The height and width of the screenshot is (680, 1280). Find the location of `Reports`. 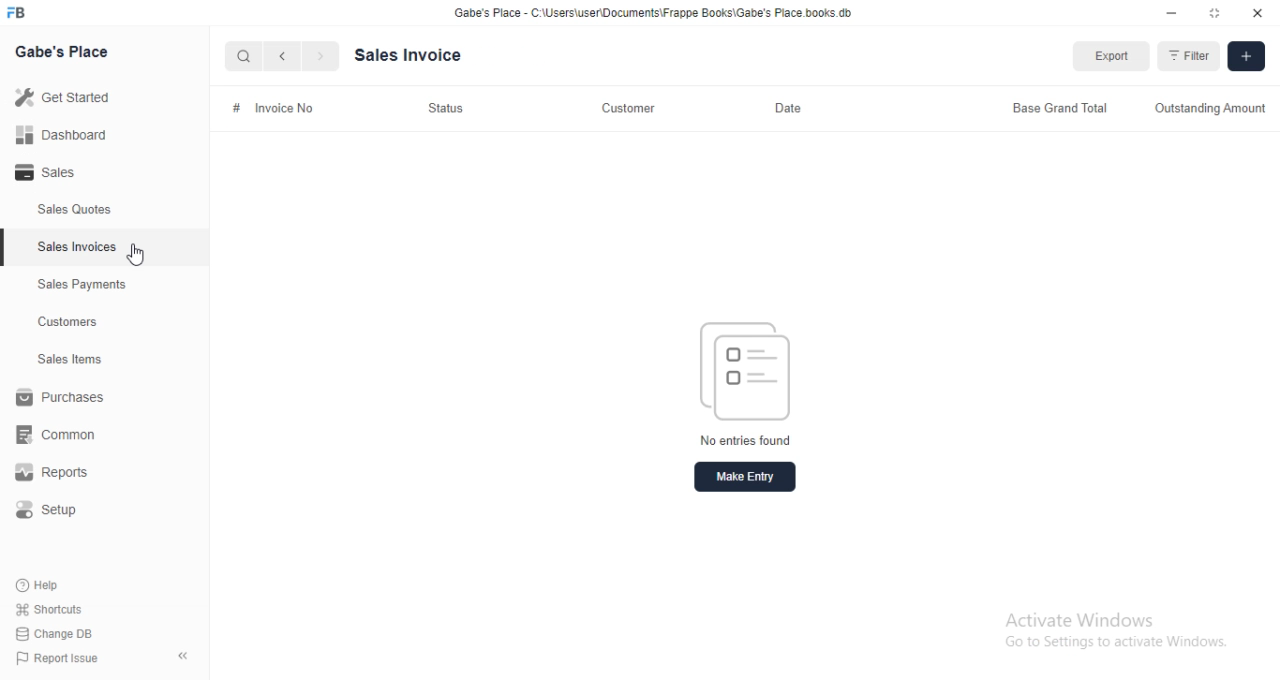

Reports is located at coordinates (49, 473).